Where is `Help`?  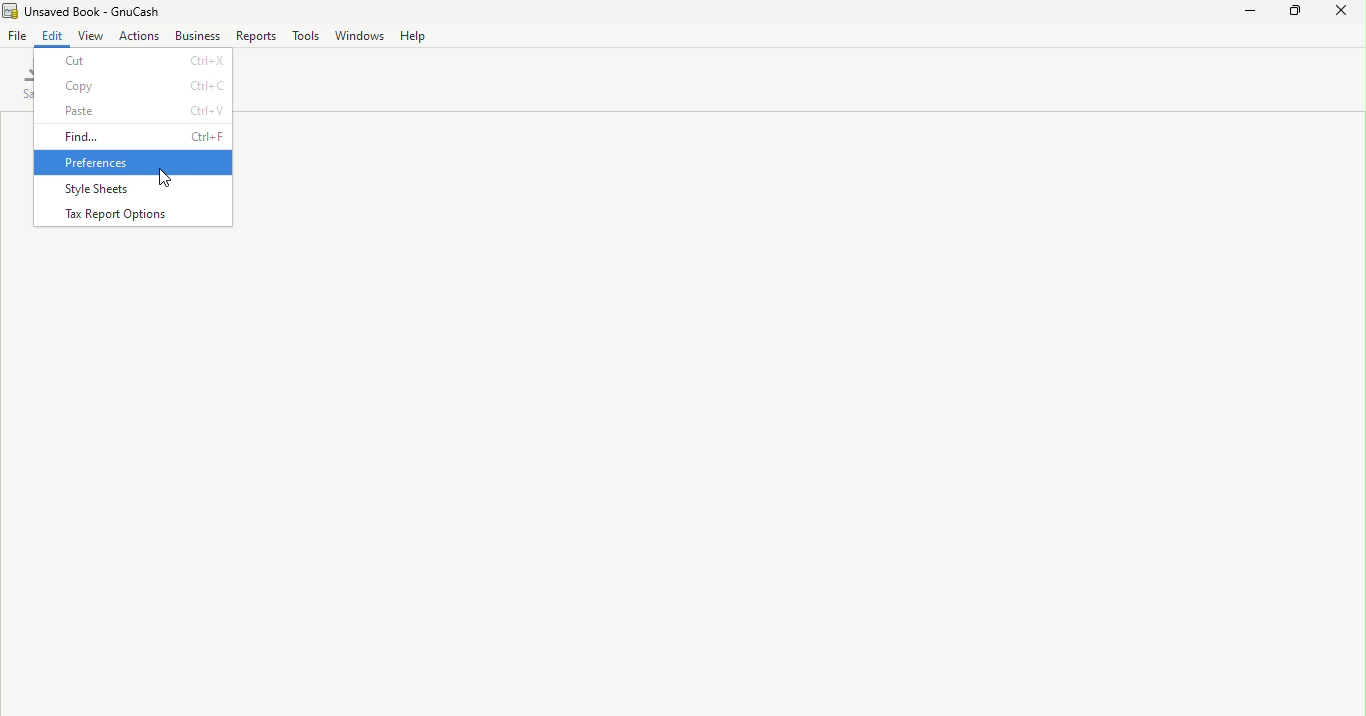
Help is located at coordinates (413, 36).